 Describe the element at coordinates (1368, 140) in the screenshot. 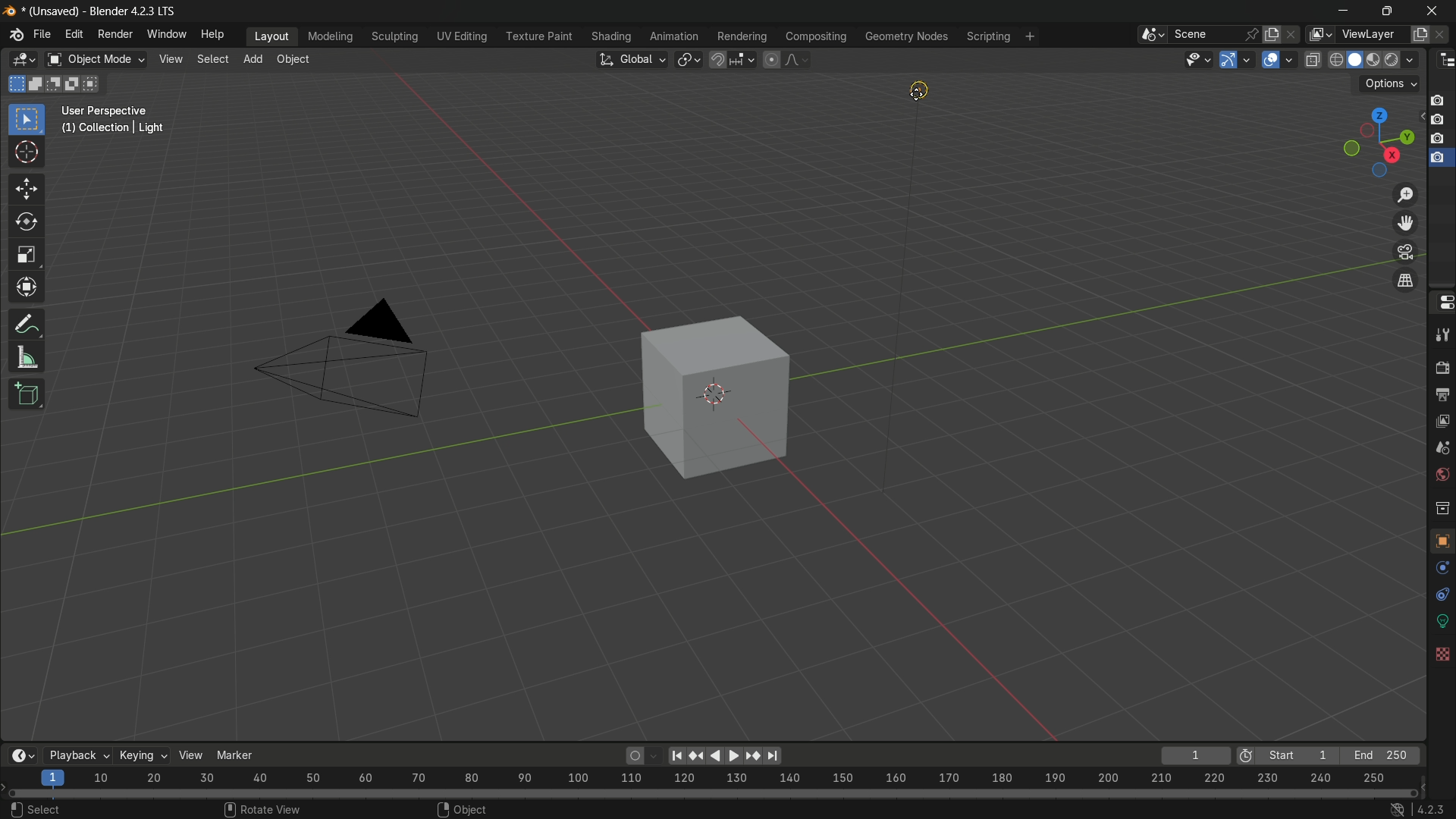

I see `preset viewpoint` at that location.